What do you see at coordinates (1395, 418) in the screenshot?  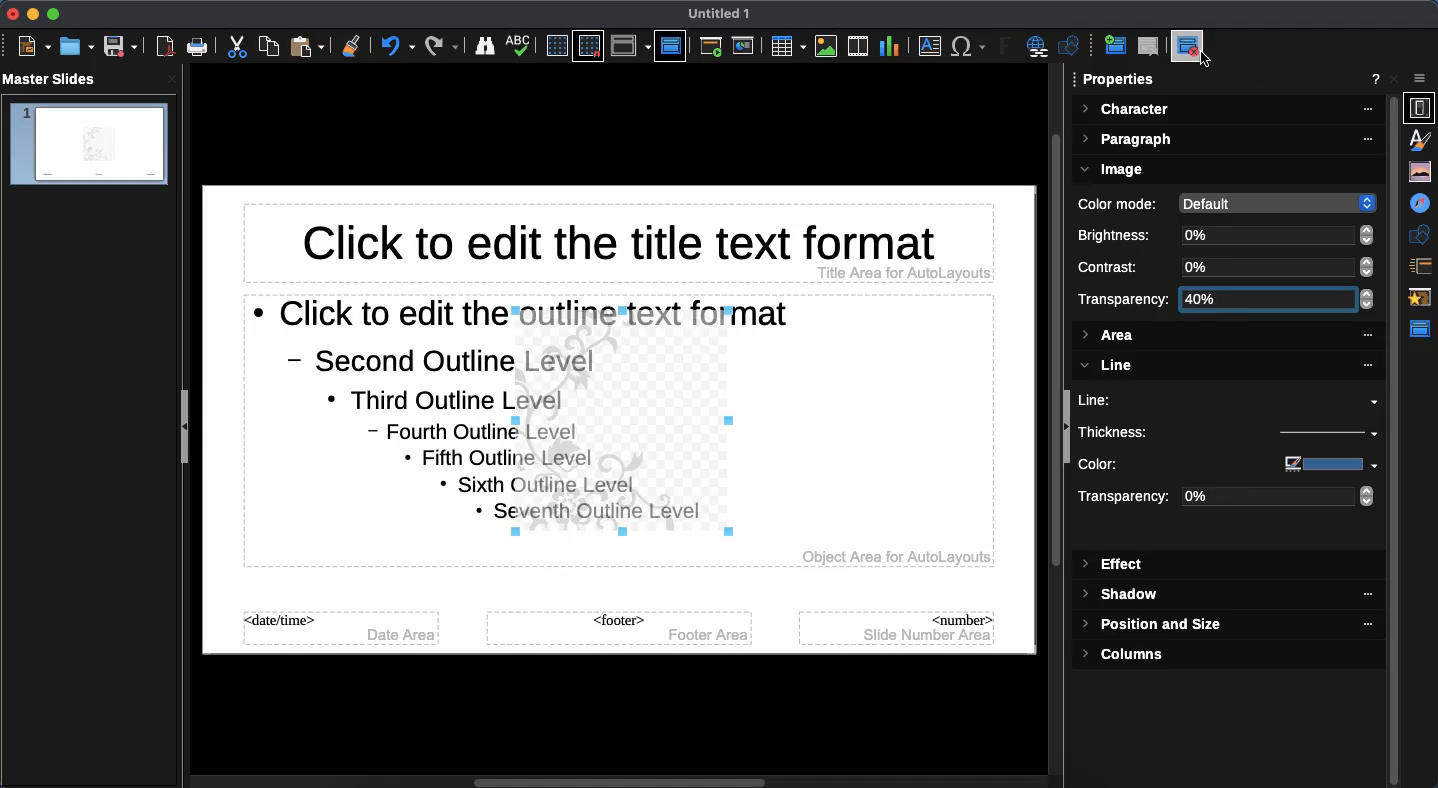 I see `properties scroll bar` at bounding box center [1395, 418].